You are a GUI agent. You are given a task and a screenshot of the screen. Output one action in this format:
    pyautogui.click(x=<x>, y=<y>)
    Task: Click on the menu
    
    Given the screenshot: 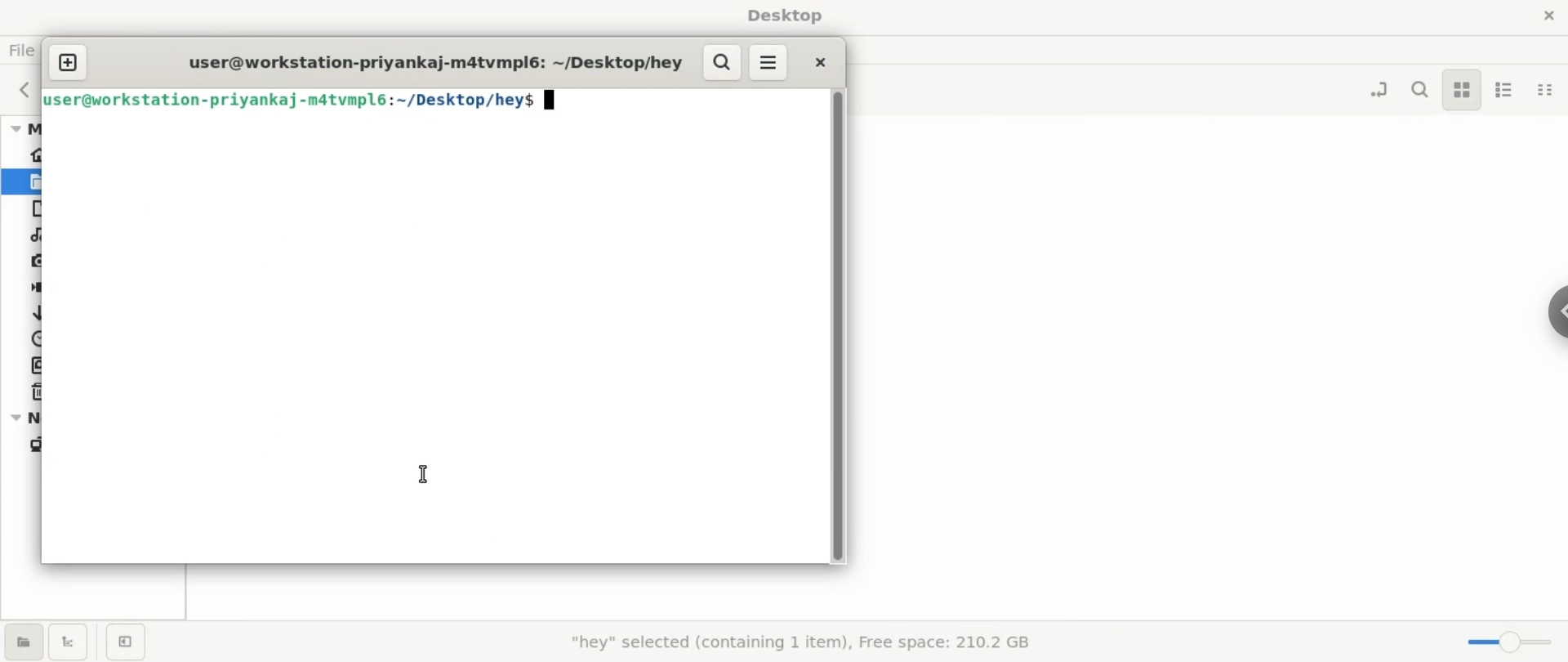 What is the action you would take?
    pyautogui.click(x=771, y=62)
    